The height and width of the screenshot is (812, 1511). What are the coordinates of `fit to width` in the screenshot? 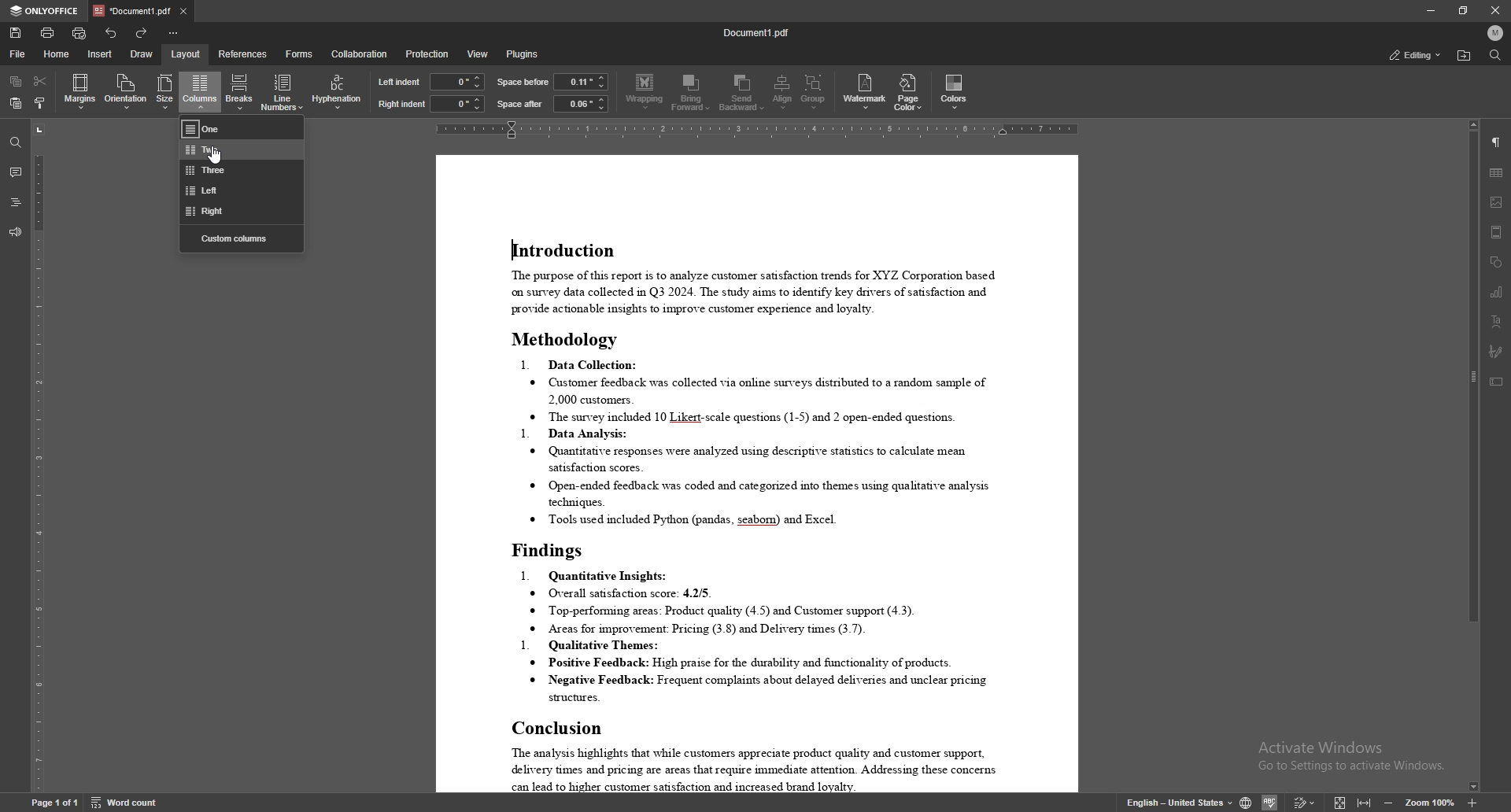 It's located at (1366, 802).